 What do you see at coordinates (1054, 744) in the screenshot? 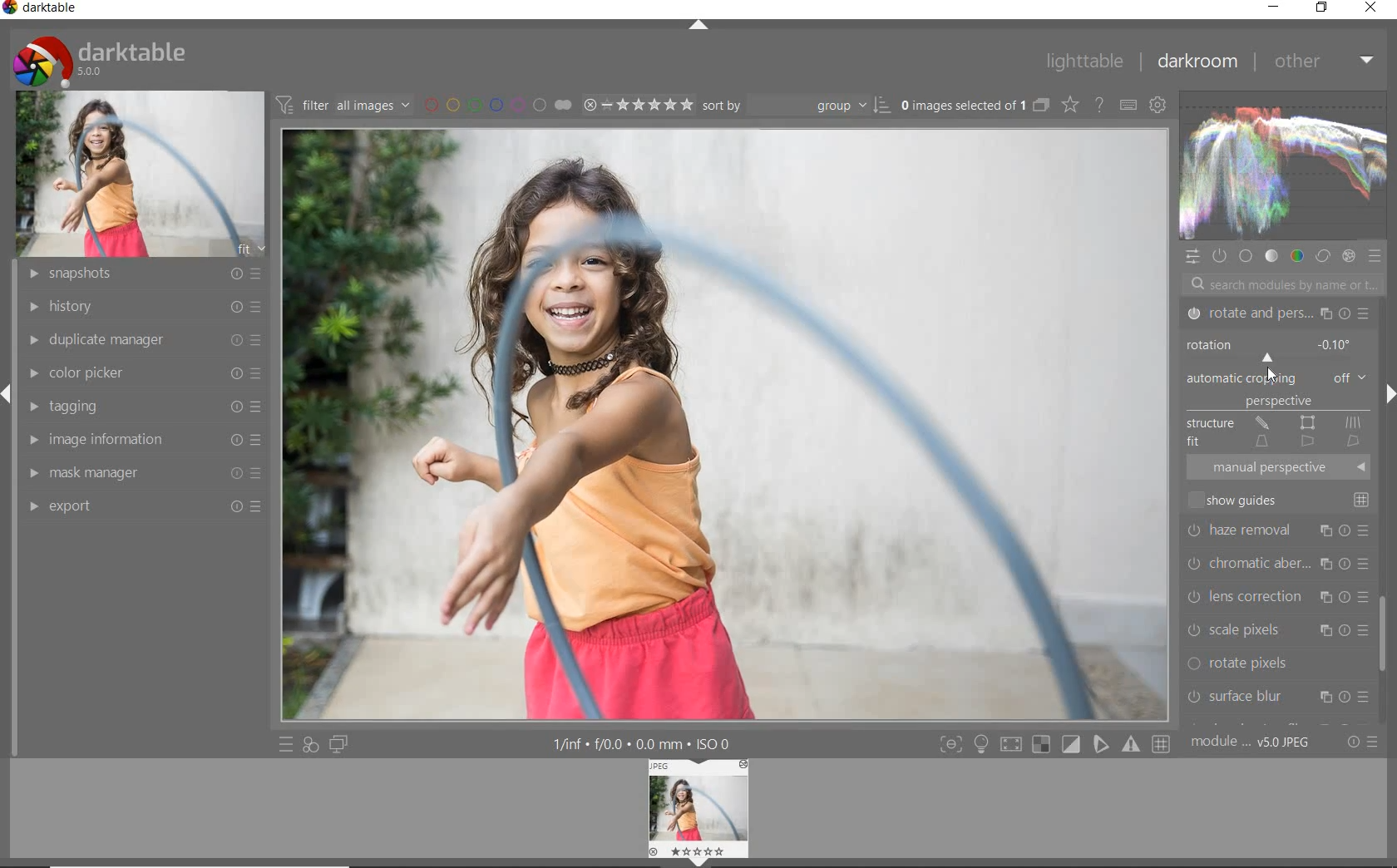
I see `toggle mode` at bounding box center [1054, 744].